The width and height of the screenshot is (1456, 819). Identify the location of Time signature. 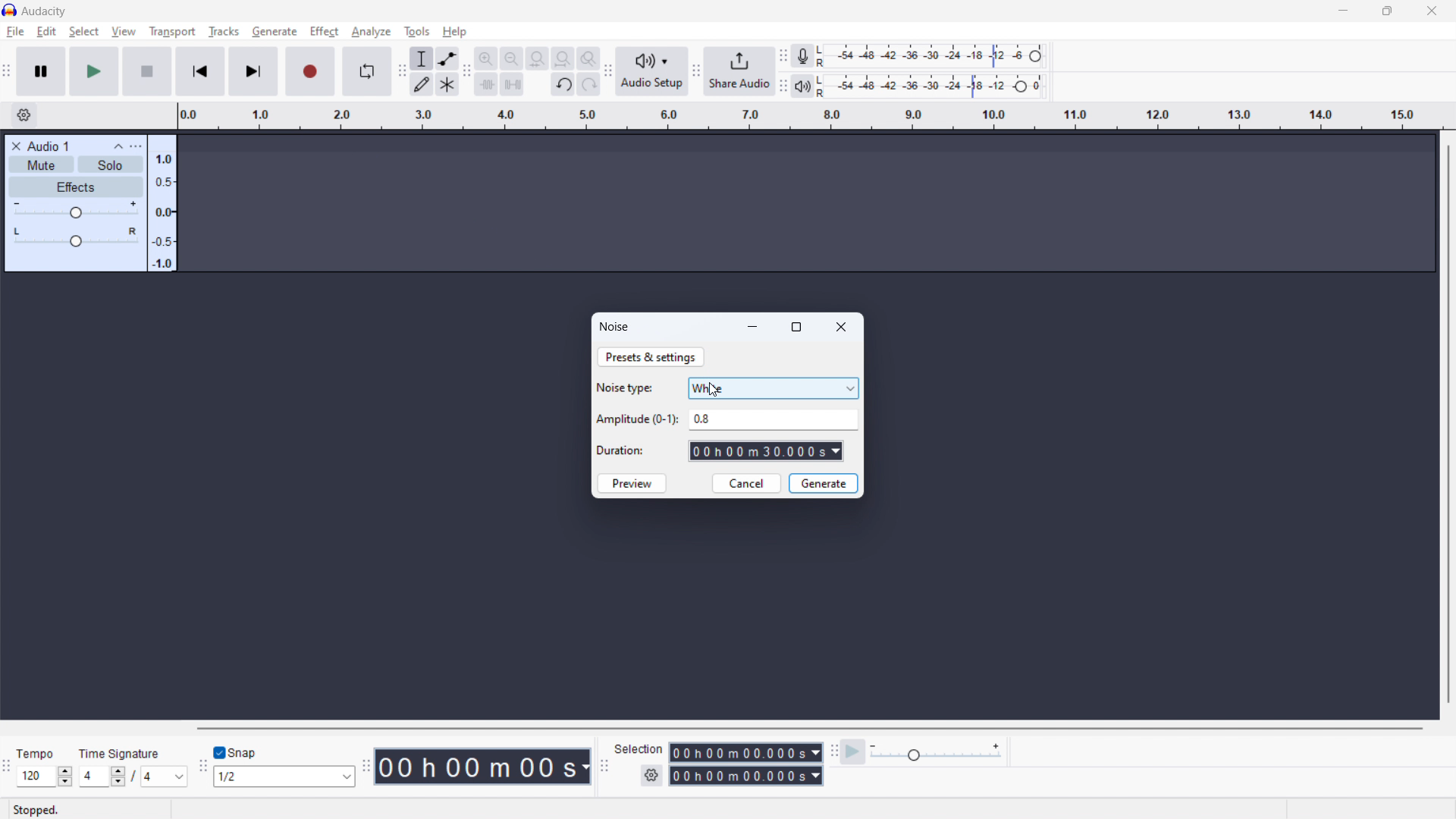
(122, 752).